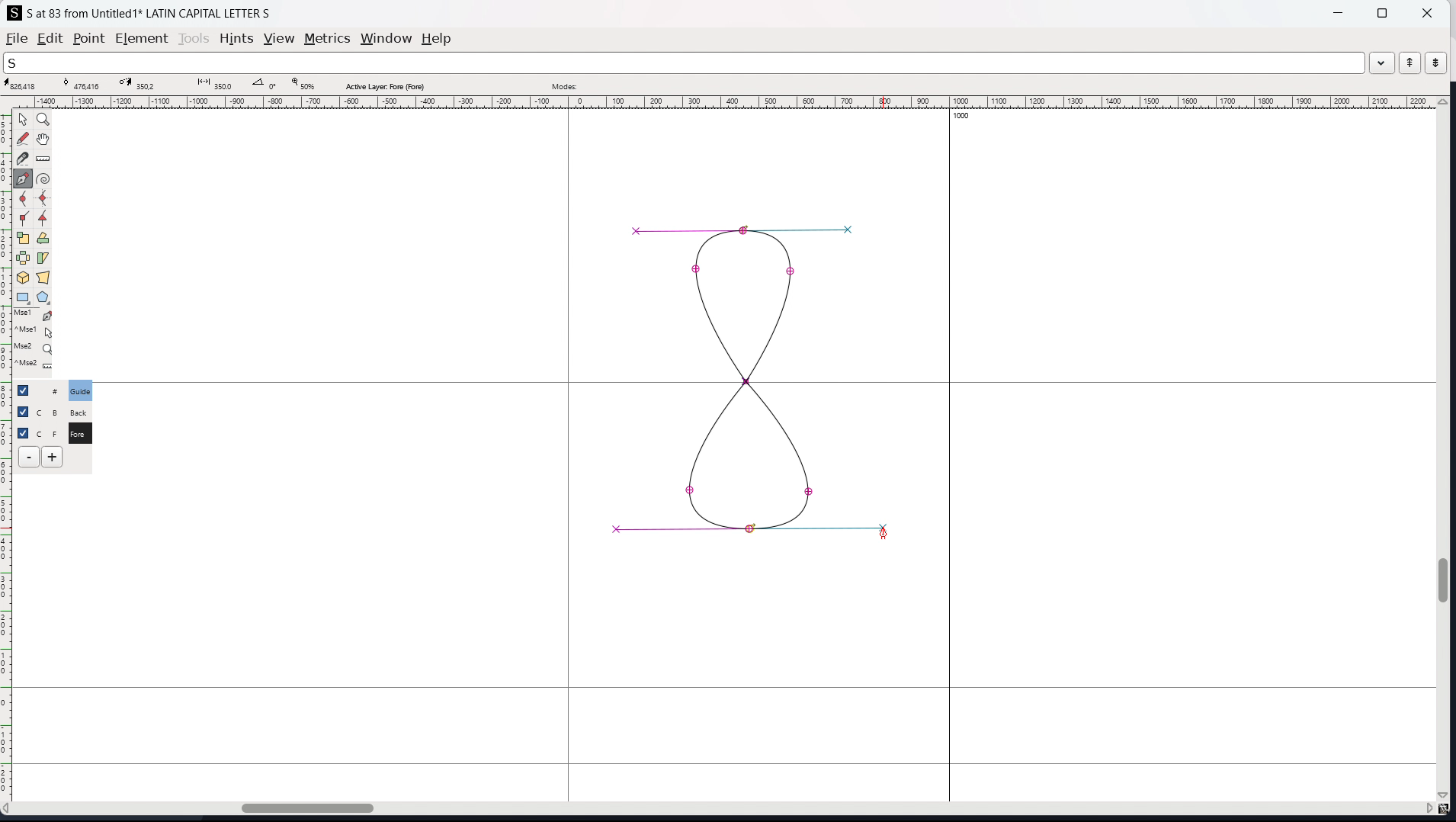  Describe the element at coordinates (50, 38) in the screenshot. I see `edit` at that location.